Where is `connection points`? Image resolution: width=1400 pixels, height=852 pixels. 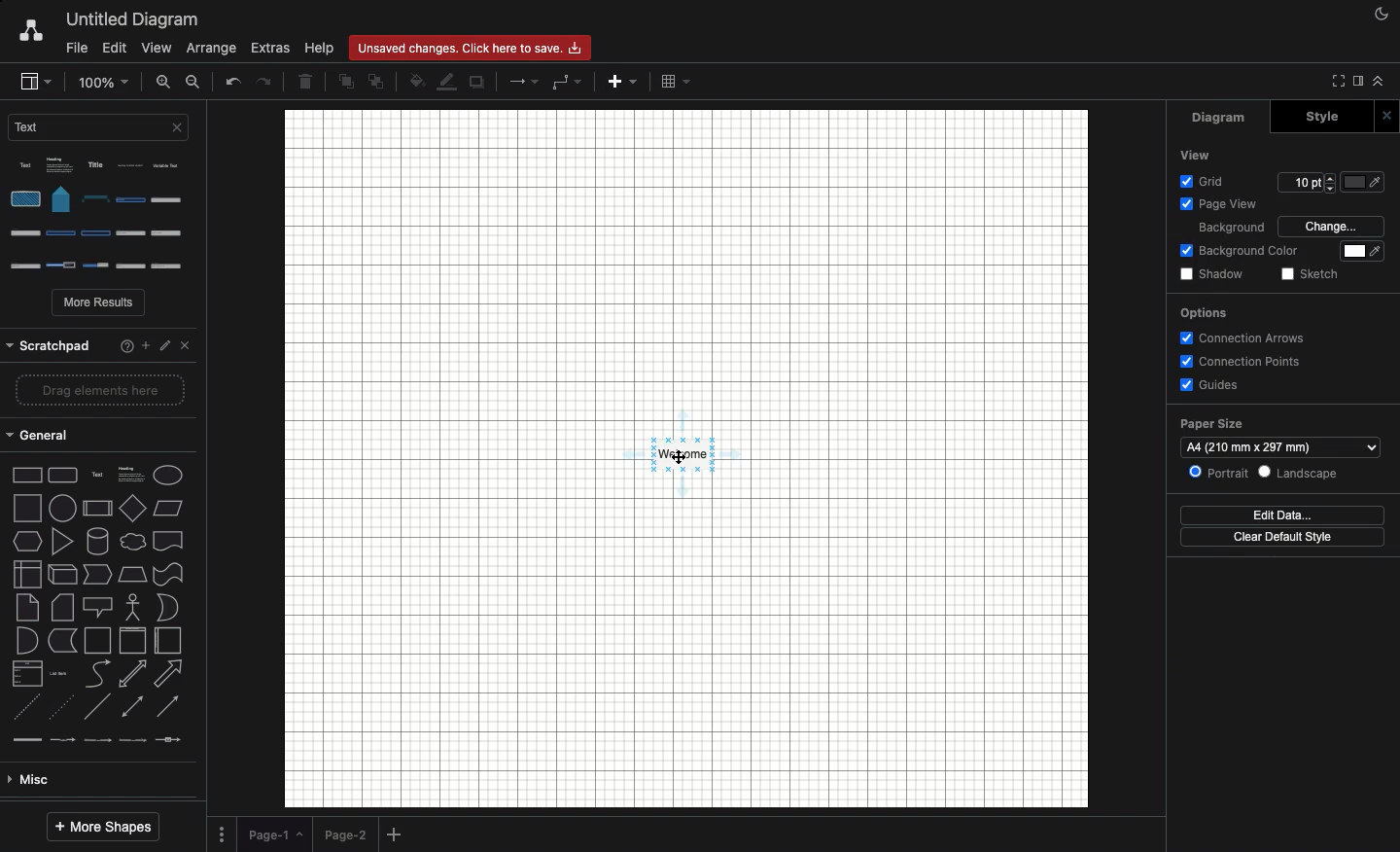
connection points is located at coordinates (1261, 359).